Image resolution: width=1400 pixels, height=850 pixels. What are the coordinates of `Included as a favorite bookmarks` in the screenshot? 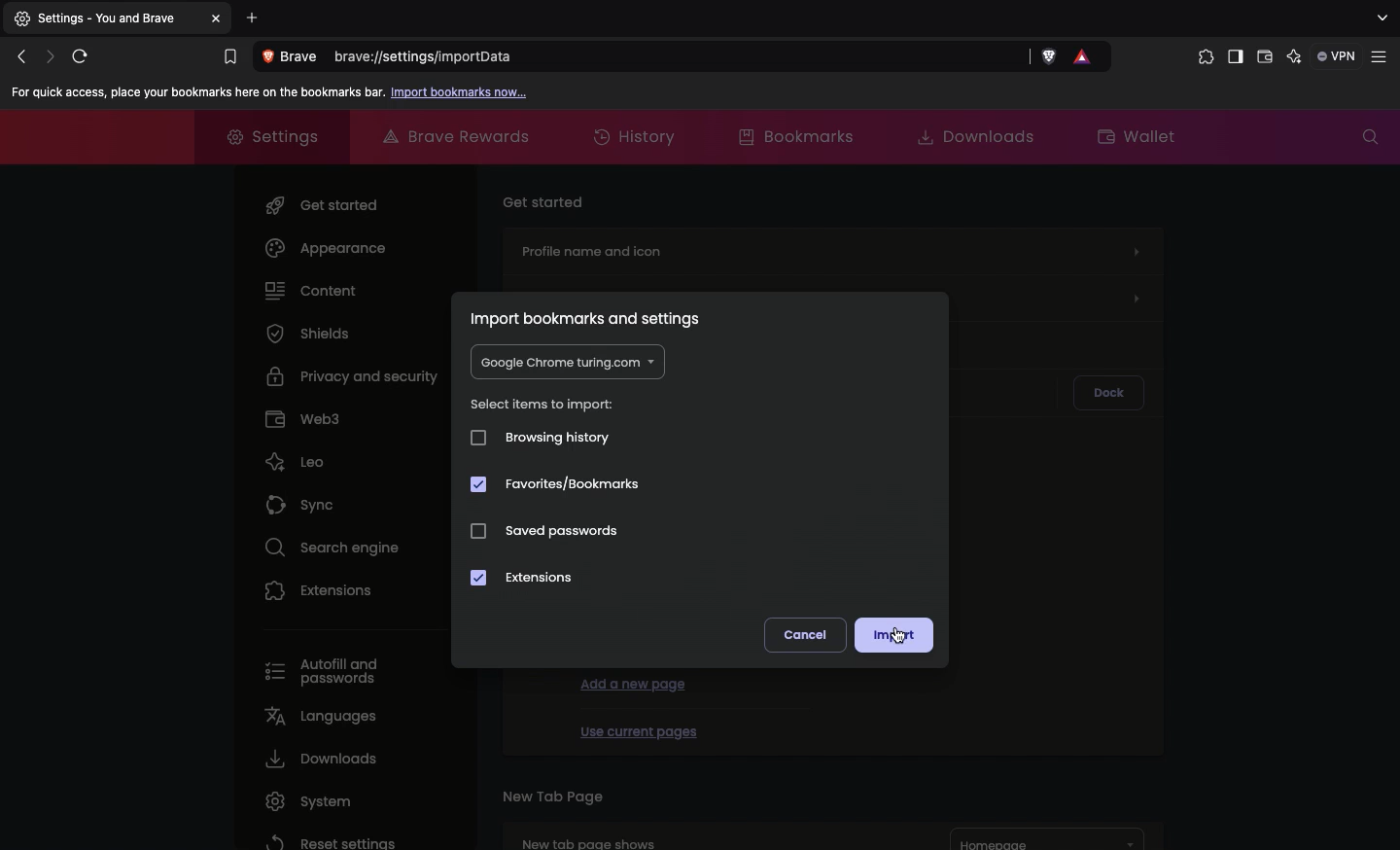 It's located at (556, 485).